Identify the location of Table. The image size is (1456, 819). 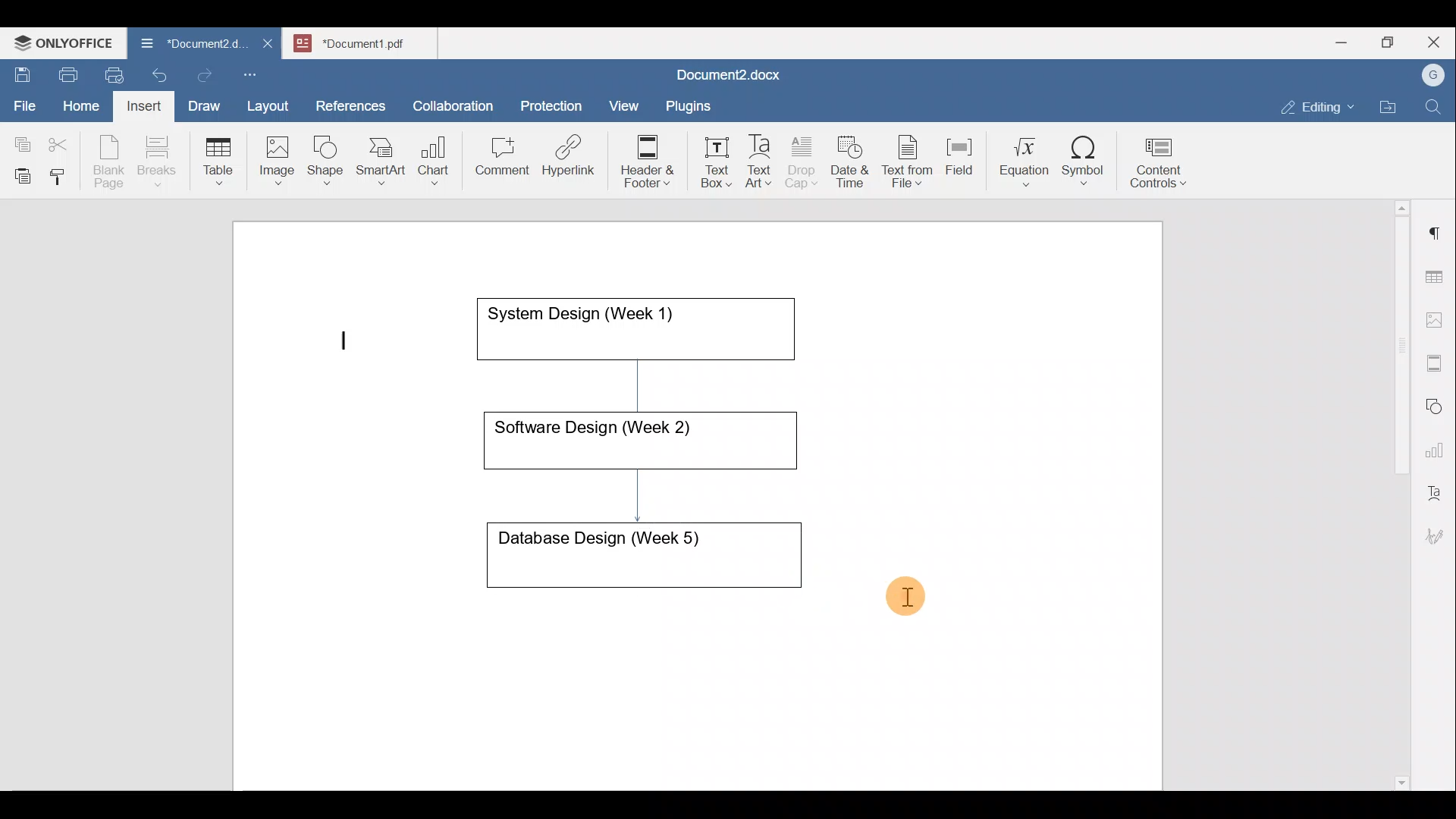
(219, 158).